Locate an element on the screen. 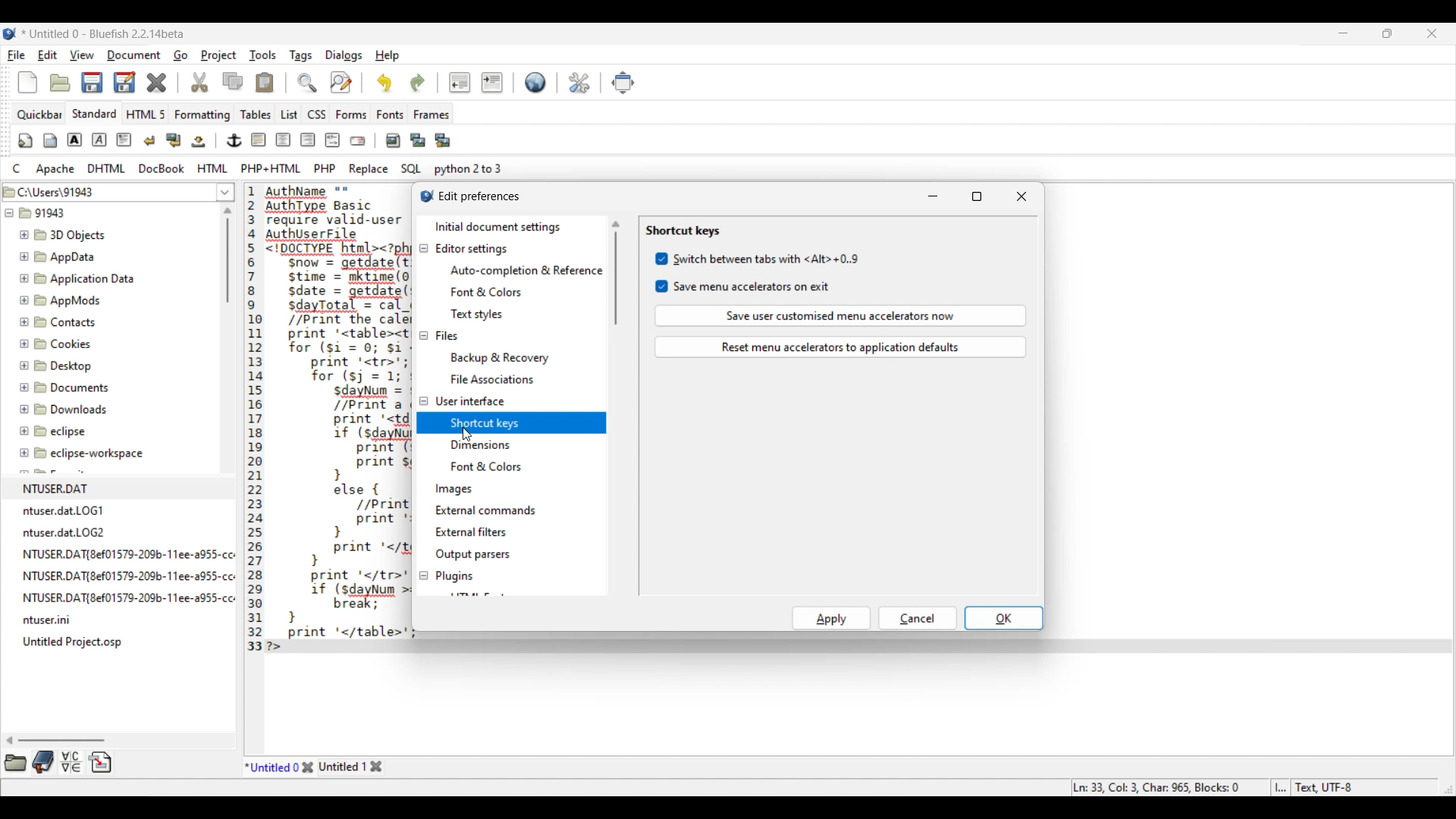  File options is located at coordinates (226, 193).